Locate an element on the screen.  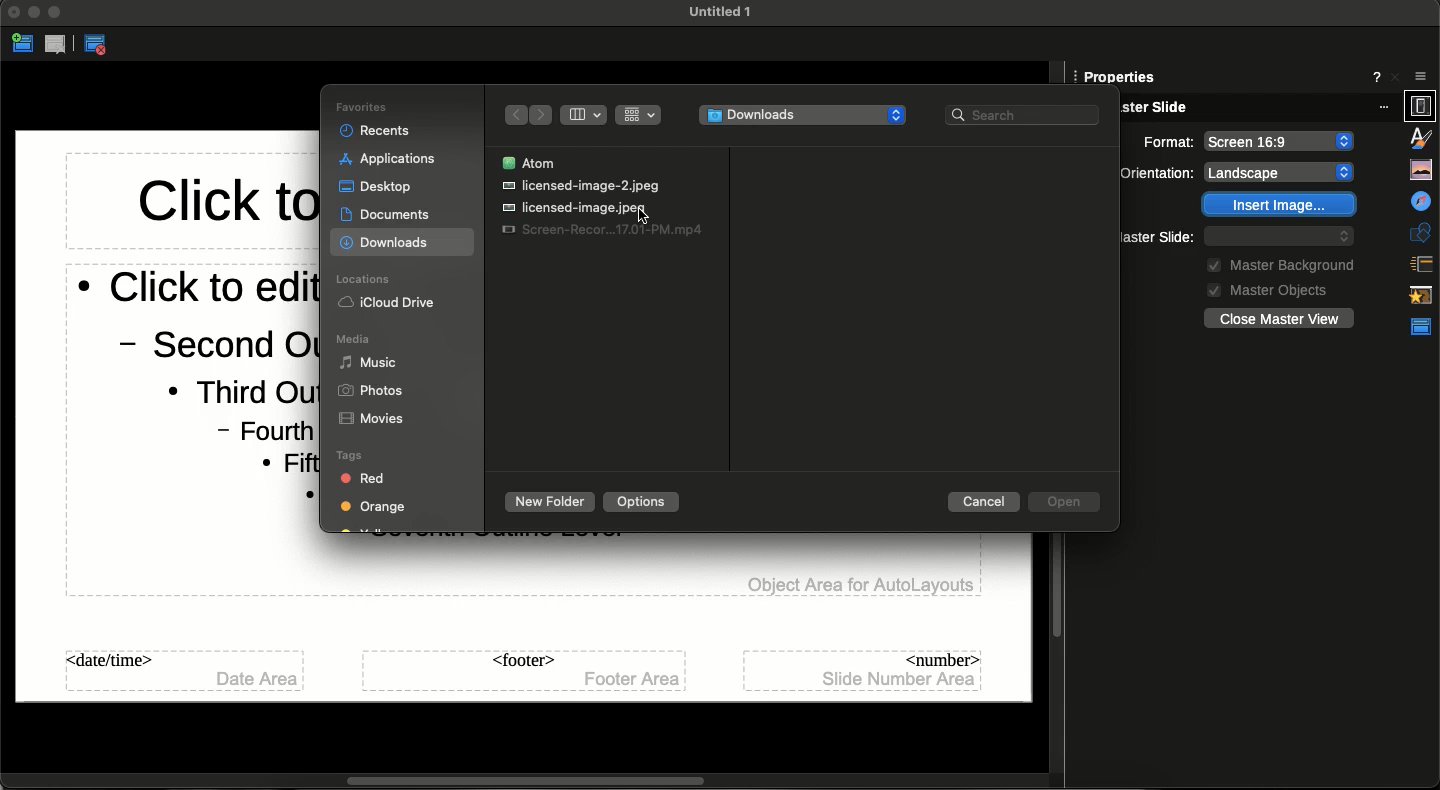
Landscape is located at coordinates (1280, 140).